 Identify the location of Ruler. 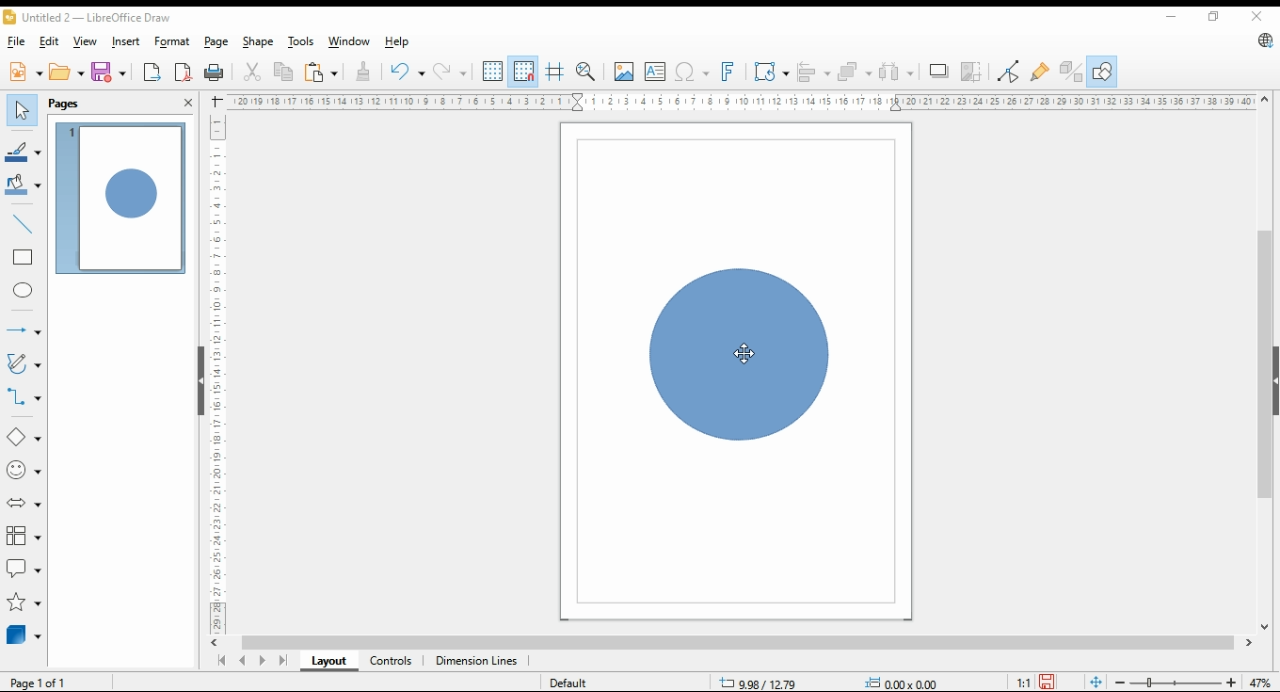
(741, 101).